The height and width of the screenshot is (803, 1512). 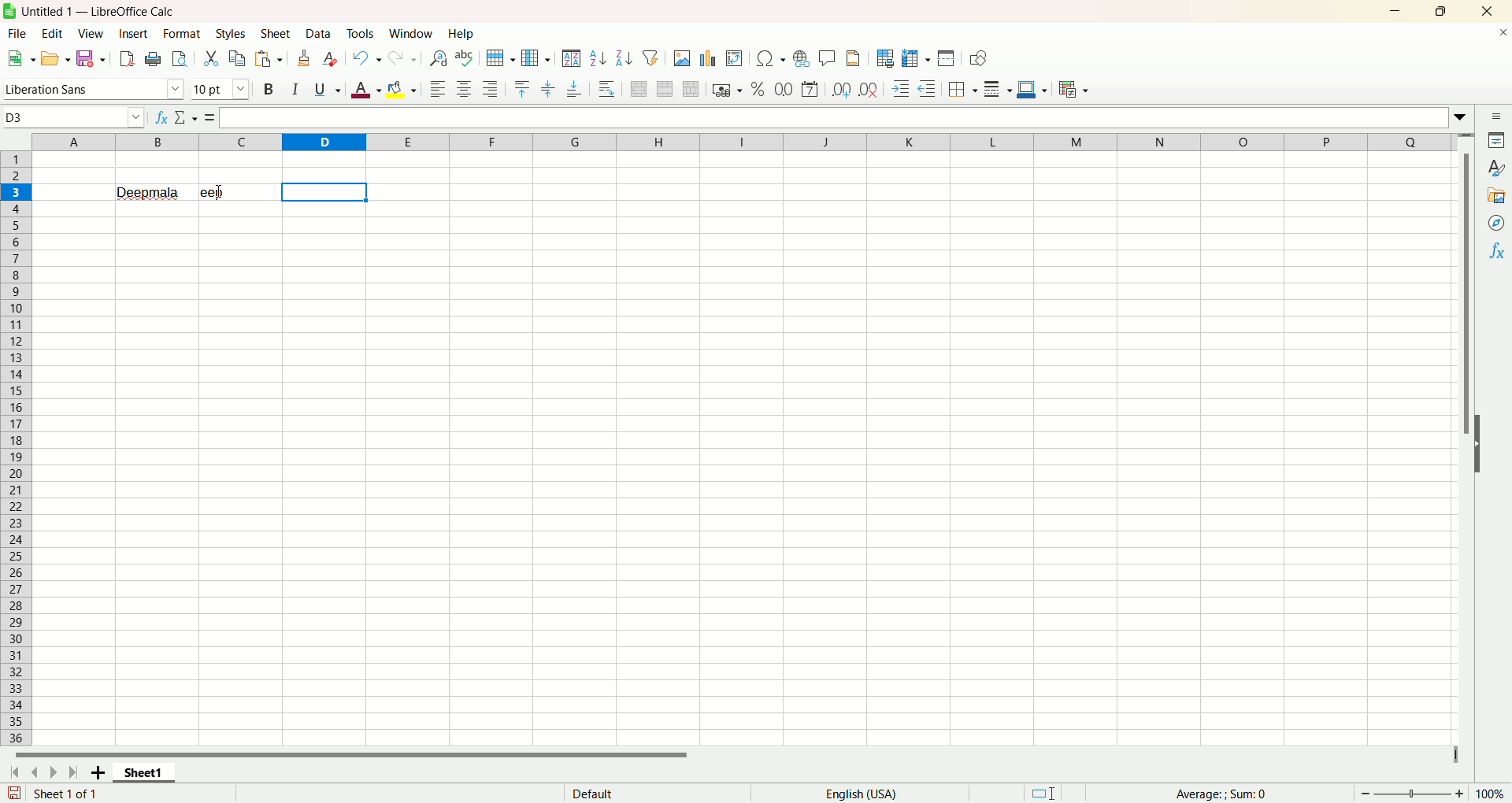 I want to click on Paste, so click(x=269, y=58).